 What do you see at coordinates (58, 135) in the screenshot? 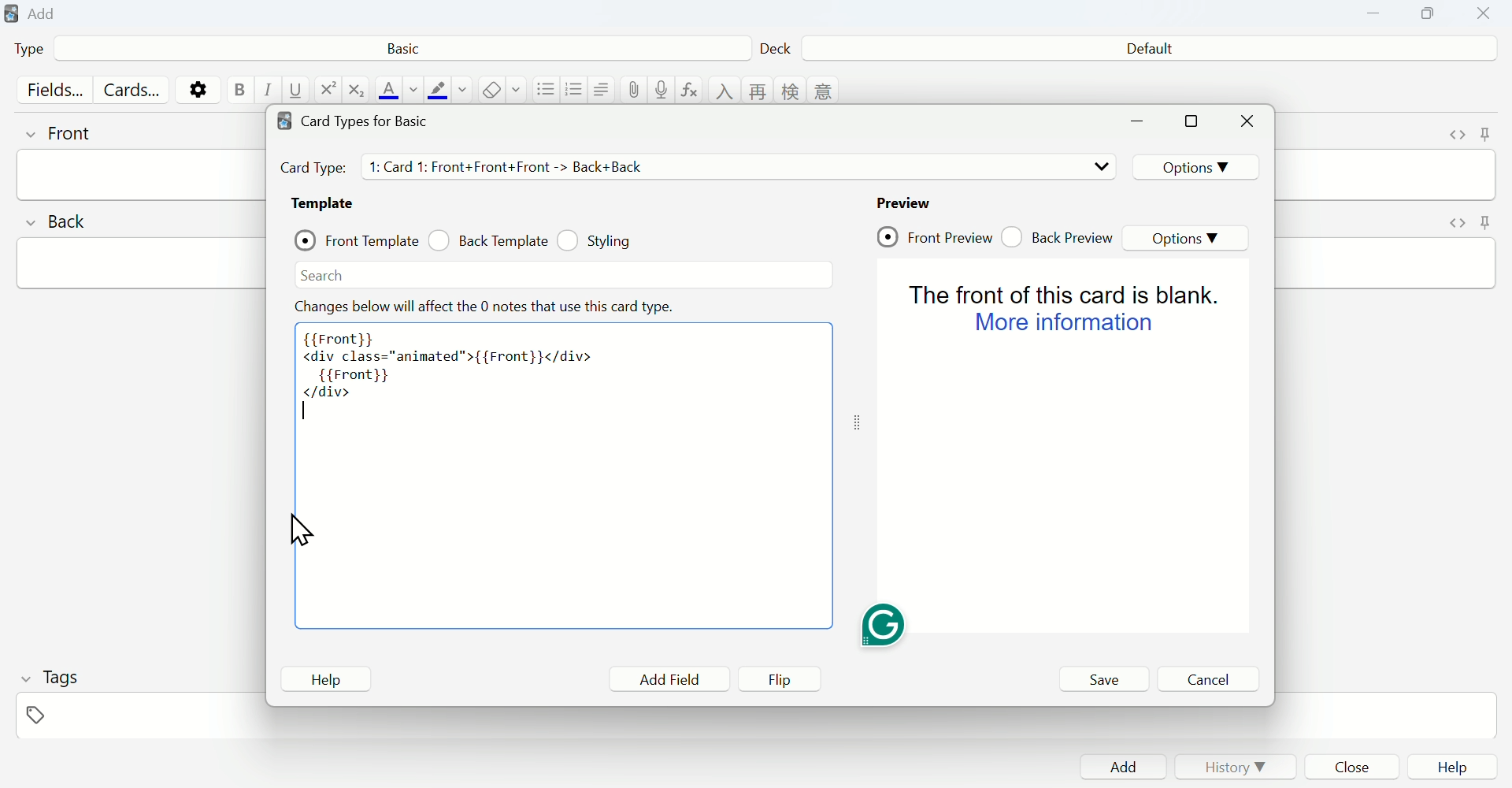
I see `front` at bounding box center [58, 135].